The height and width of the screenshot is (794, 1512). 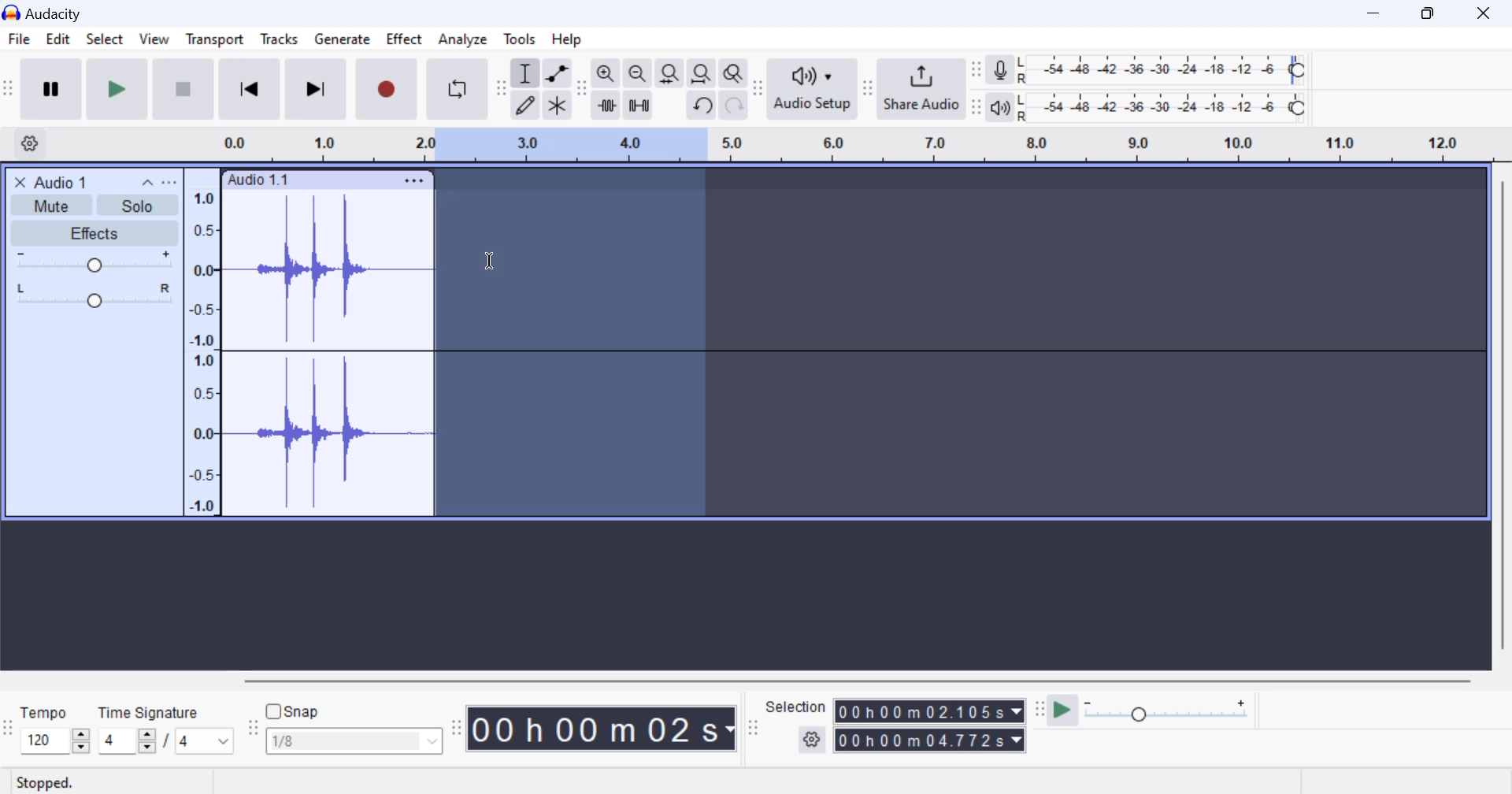 What do you see at coordinates (607, 105) in the screenshot?
I see `trim audio outside select` at bounding box center [607, 105].